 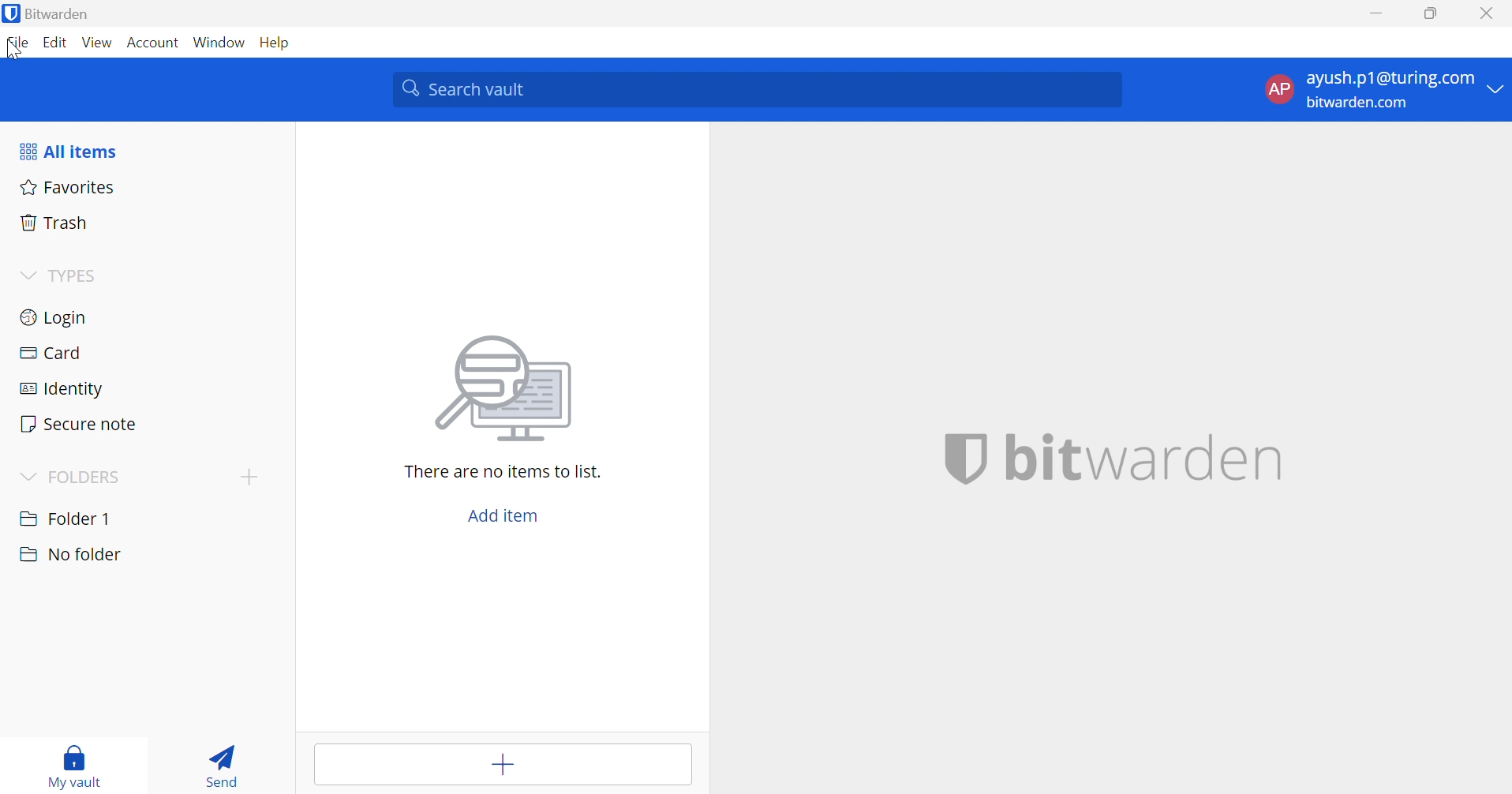 I want to click on cursor, so click(x=16, y=51).